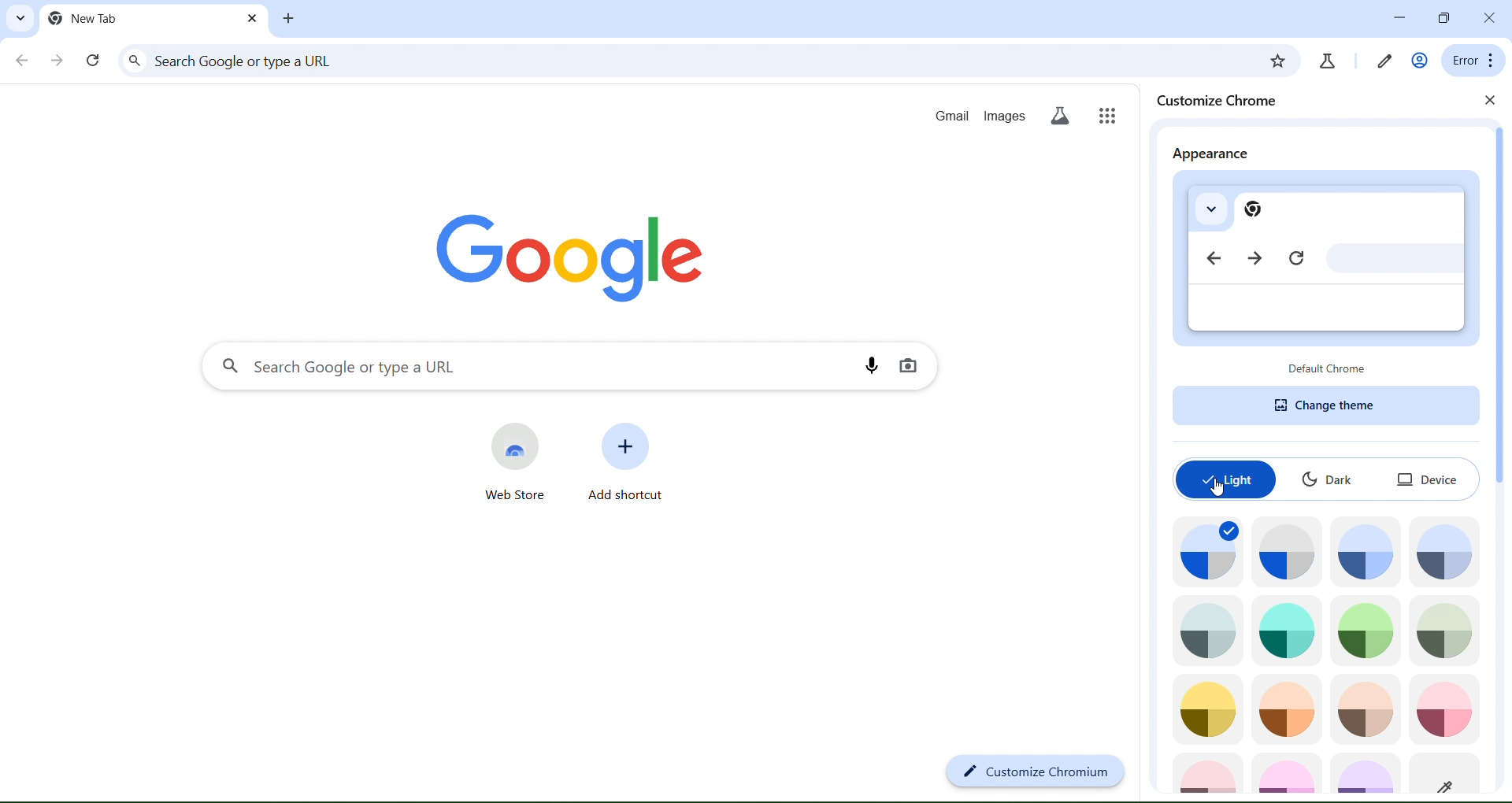 This screenshot has width=1512, height=803. What do you see at coordinates (1418, 60) in the screenshot?
I see `account` at bounding box center [1418, 60].